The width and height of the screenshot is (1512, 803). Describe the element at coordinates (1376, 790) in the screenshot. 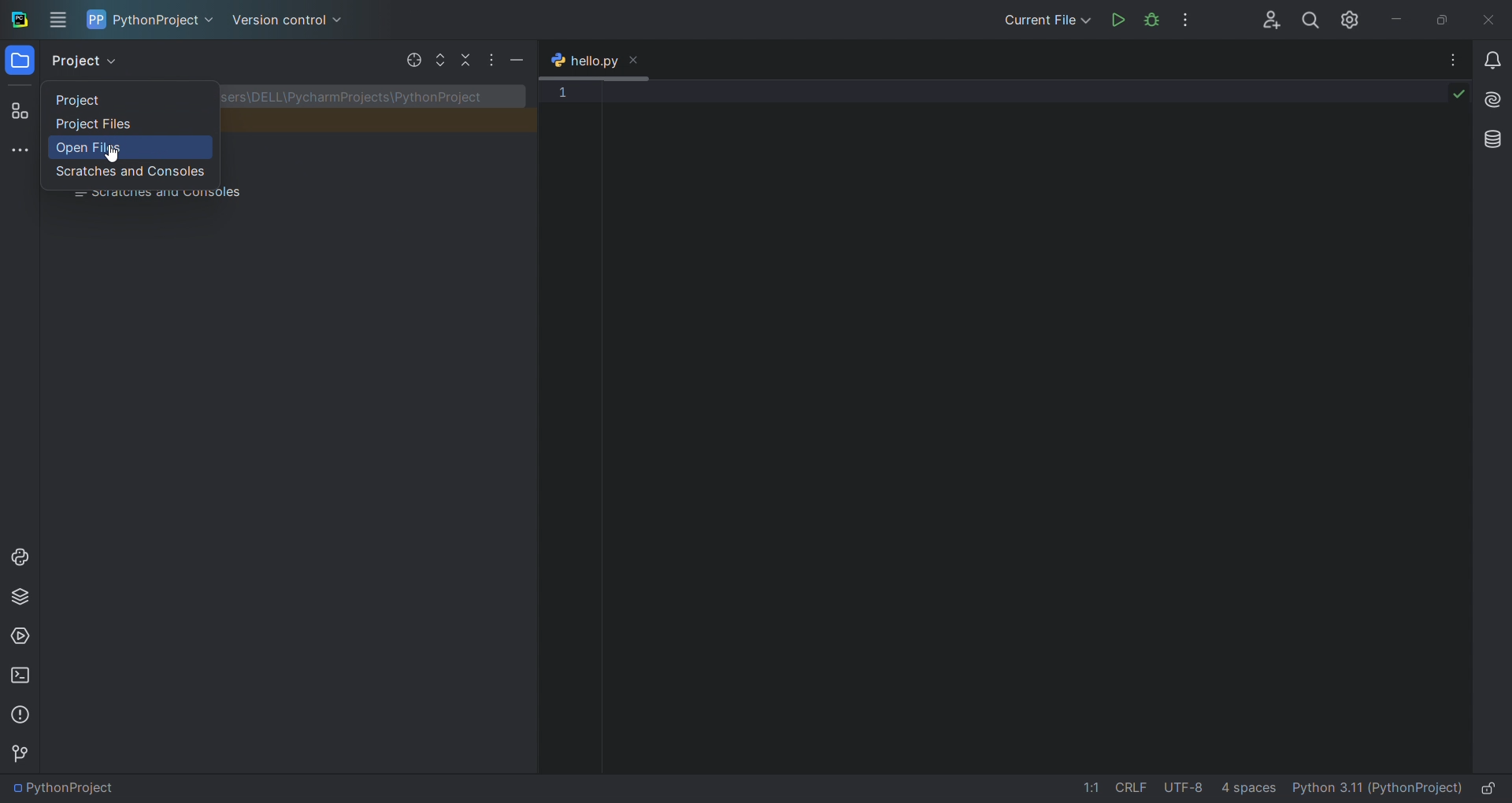

I see `interpreter` at that location.